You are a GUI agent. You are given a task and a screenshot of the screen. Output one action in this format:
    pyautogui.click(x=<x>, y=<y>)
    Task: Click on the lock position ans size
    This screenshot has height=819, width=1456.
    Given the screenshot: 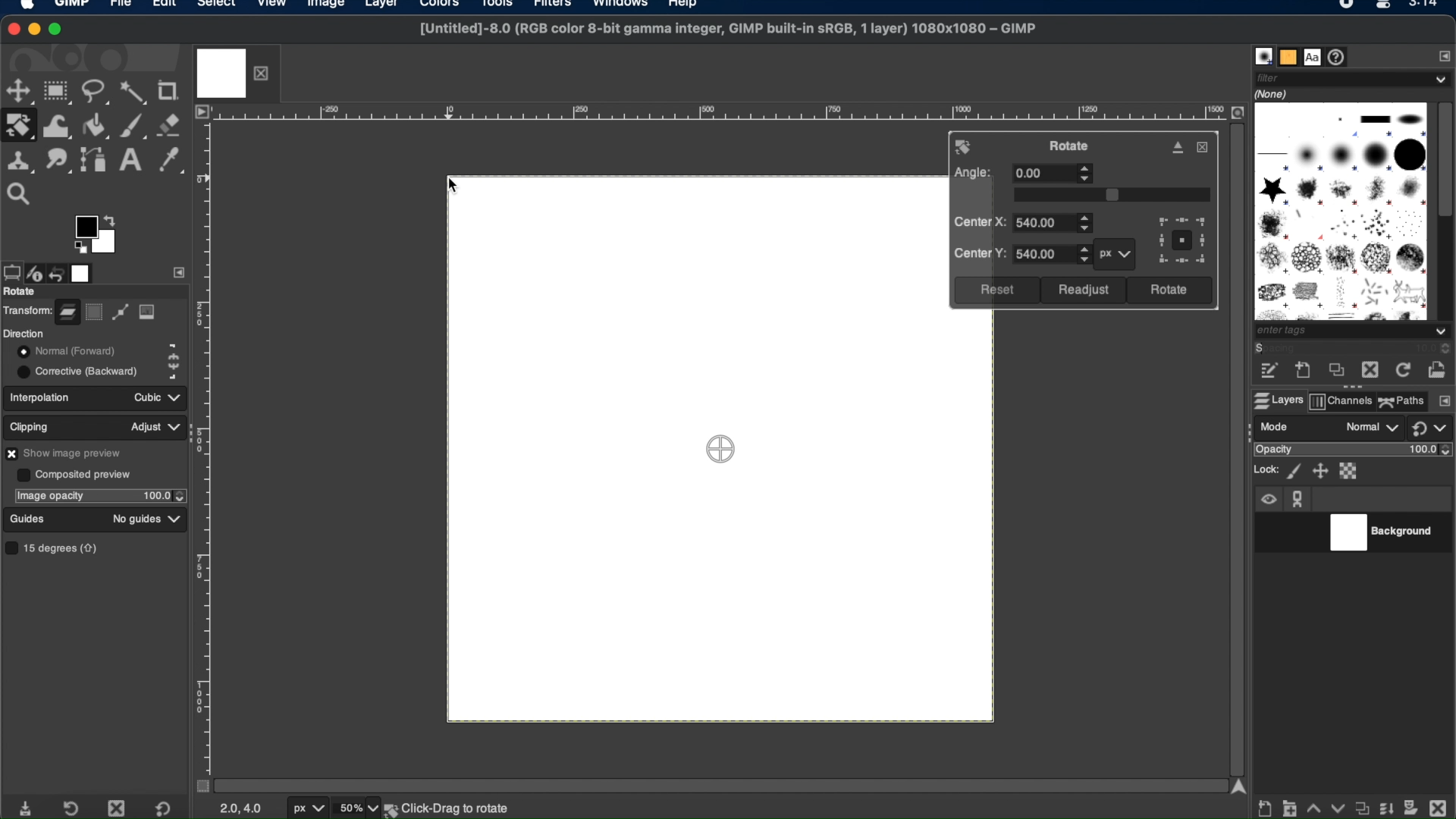 What is the action you would take?
    pyautogui.click(x=1319, y=471)
    